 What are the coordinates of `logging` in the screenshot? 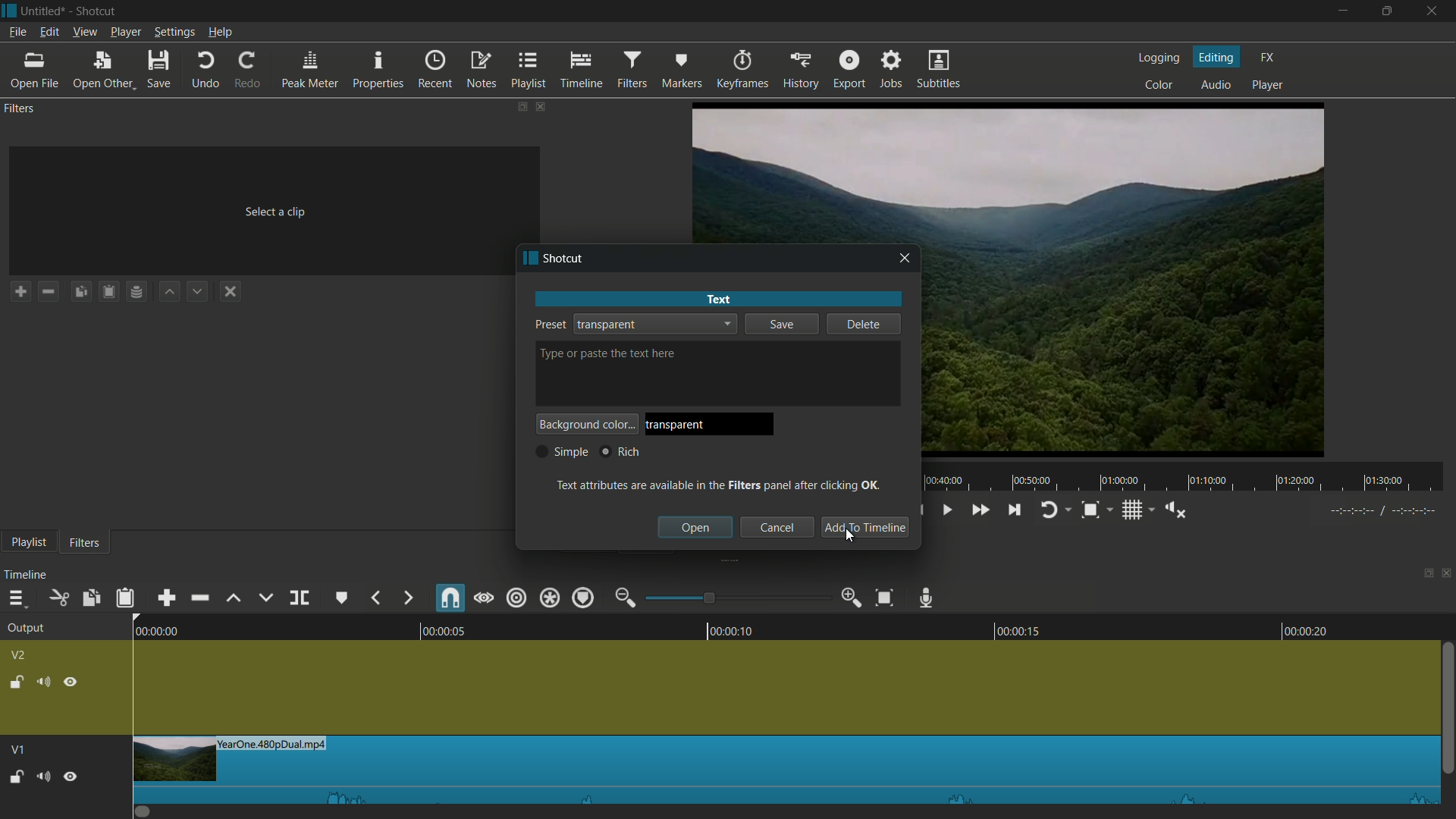 It's located at (1161, 59).